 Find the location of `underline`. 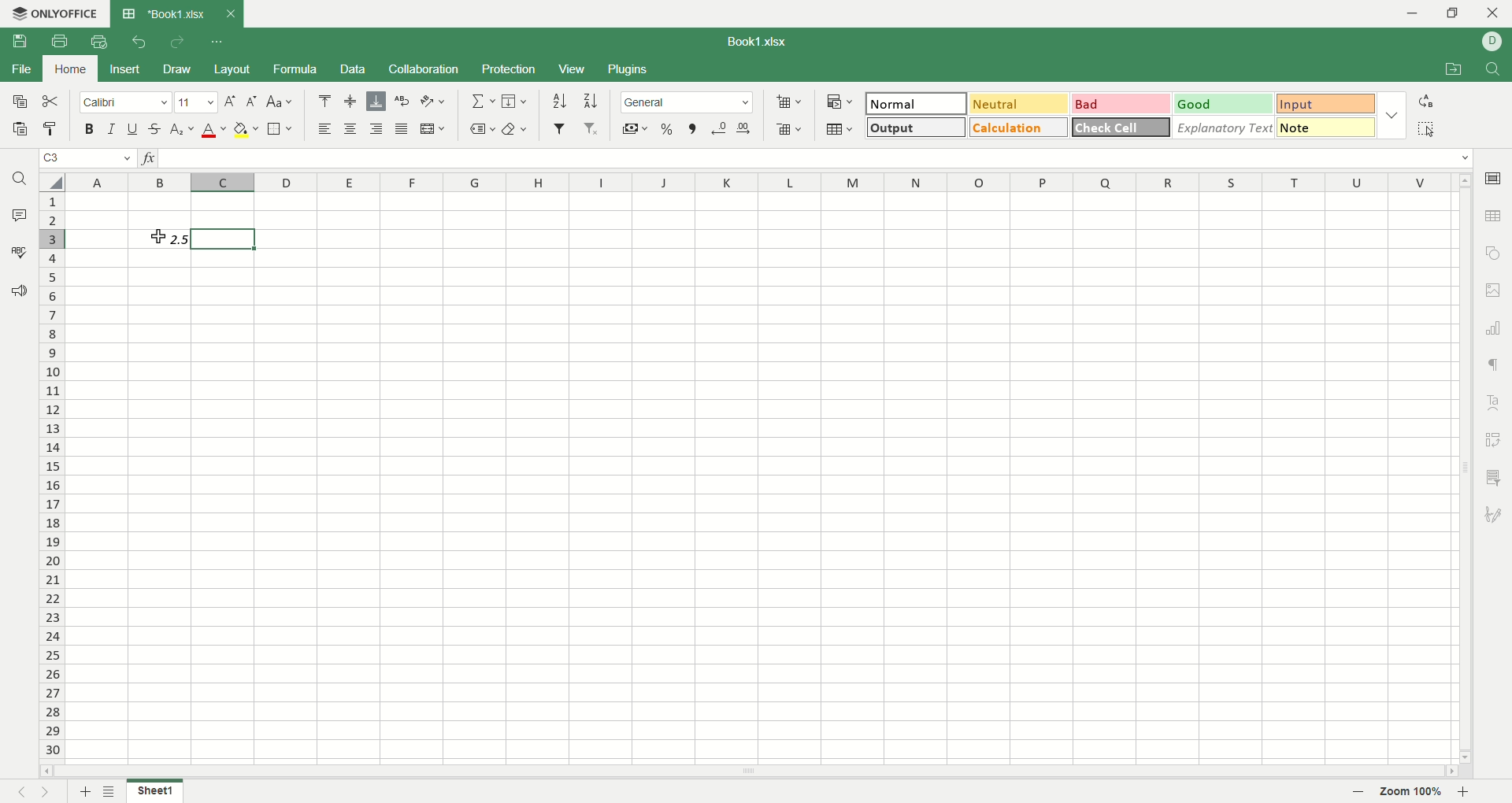

underline is located at coordinates (132, 128).